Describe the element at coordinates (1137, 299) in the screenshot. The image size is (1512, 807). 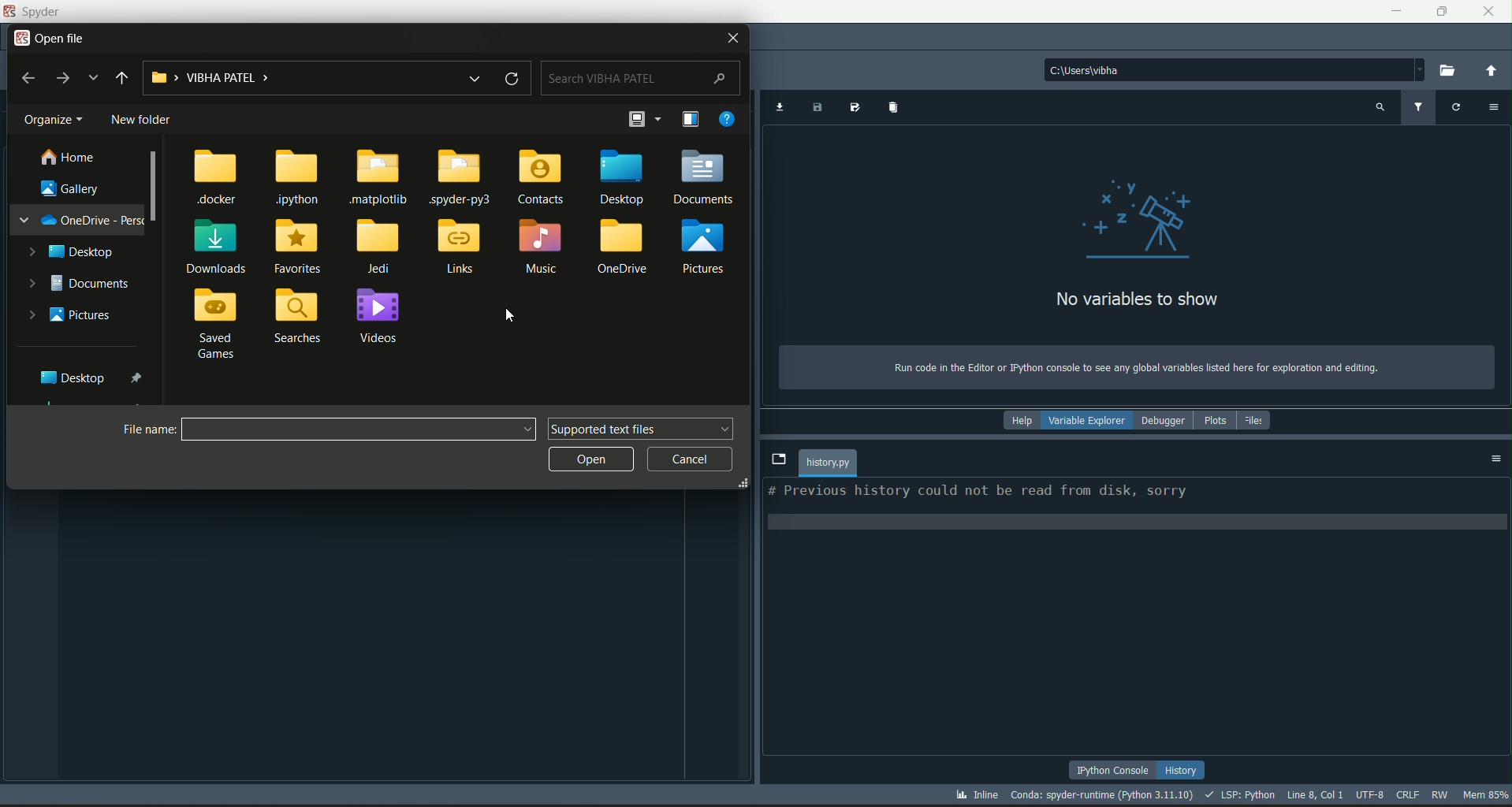
I see `text` at that location.